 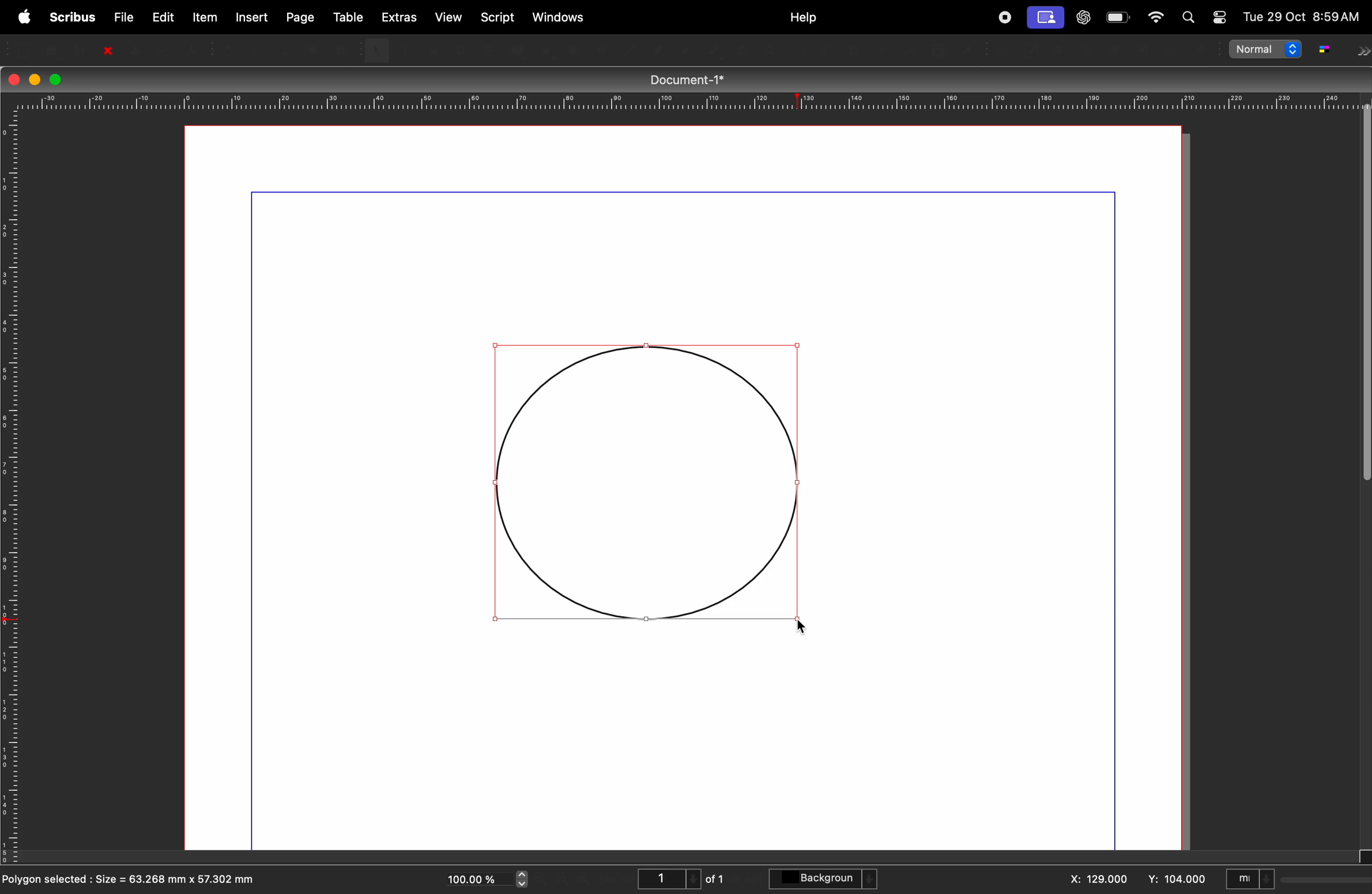 I want to click on 100.00%, so click(x=469, y=876).